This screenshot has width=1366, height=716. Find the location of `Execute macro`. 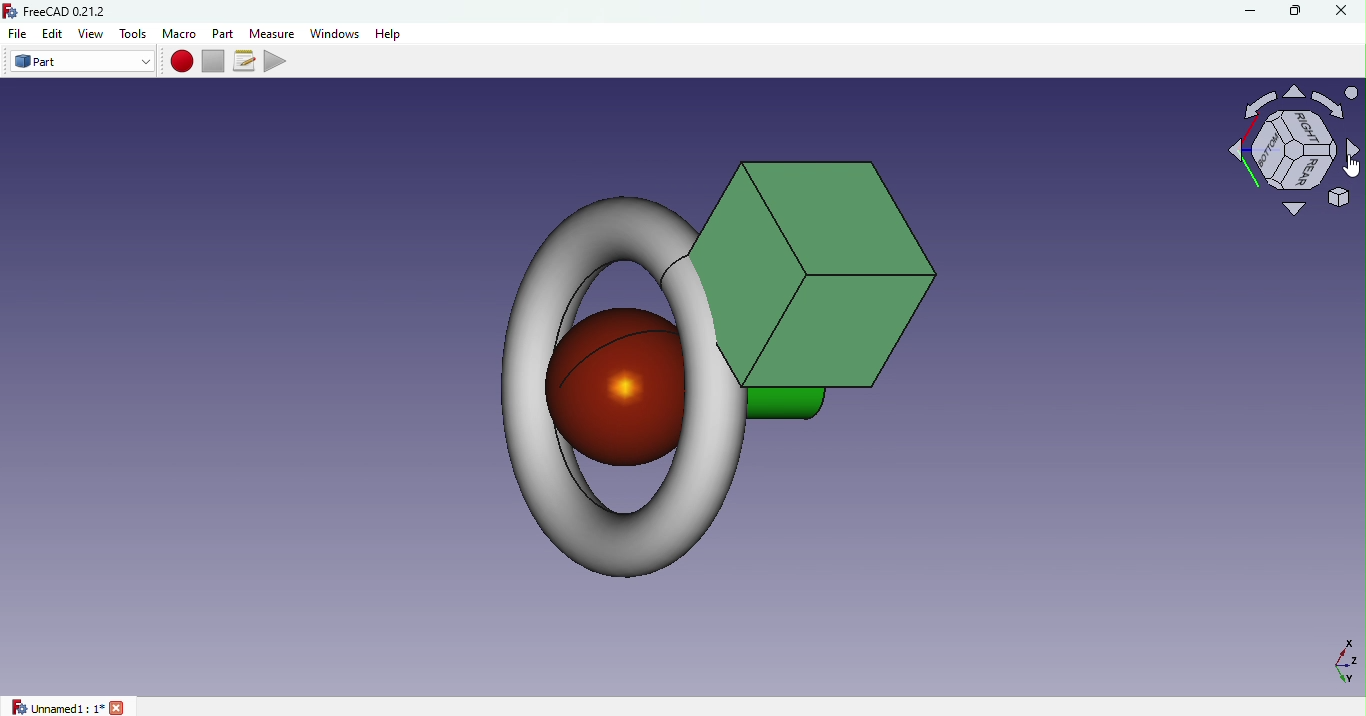

Execute macro is located at coordinates (276, 61).